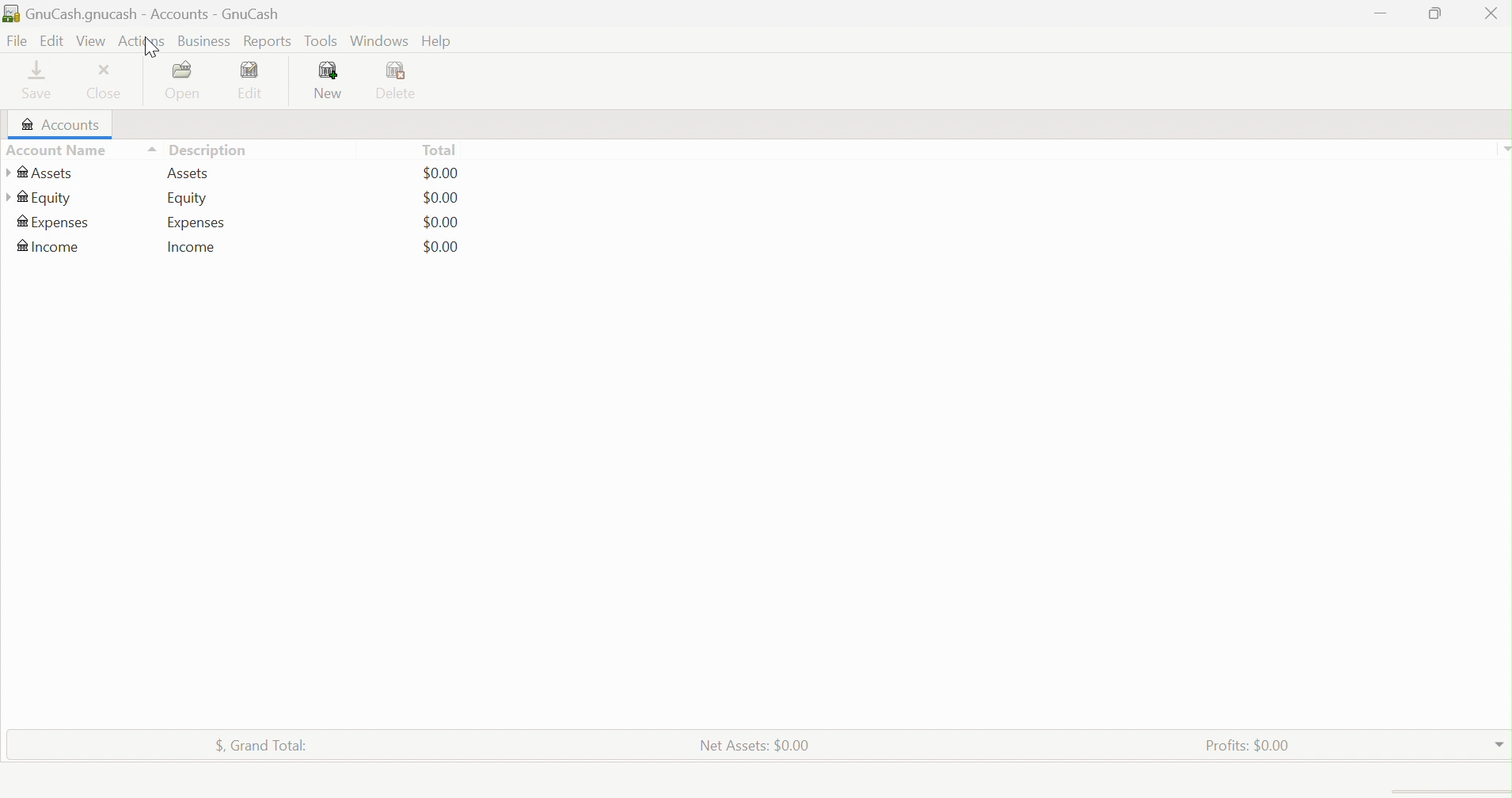  I want to click on Drop Down, so click(1499, 741).